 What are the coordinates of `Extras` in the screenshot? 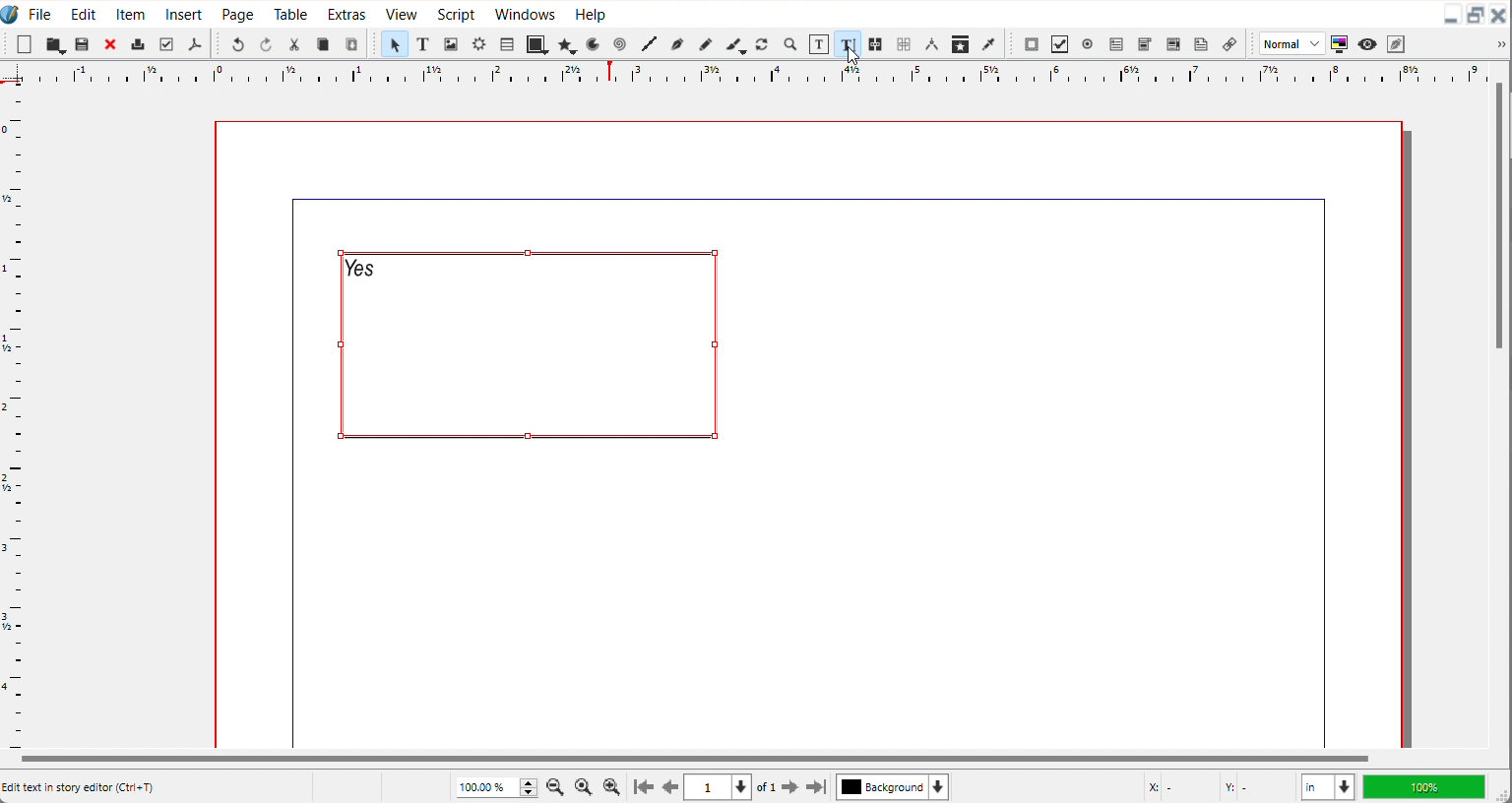 It's located at (346, 12).